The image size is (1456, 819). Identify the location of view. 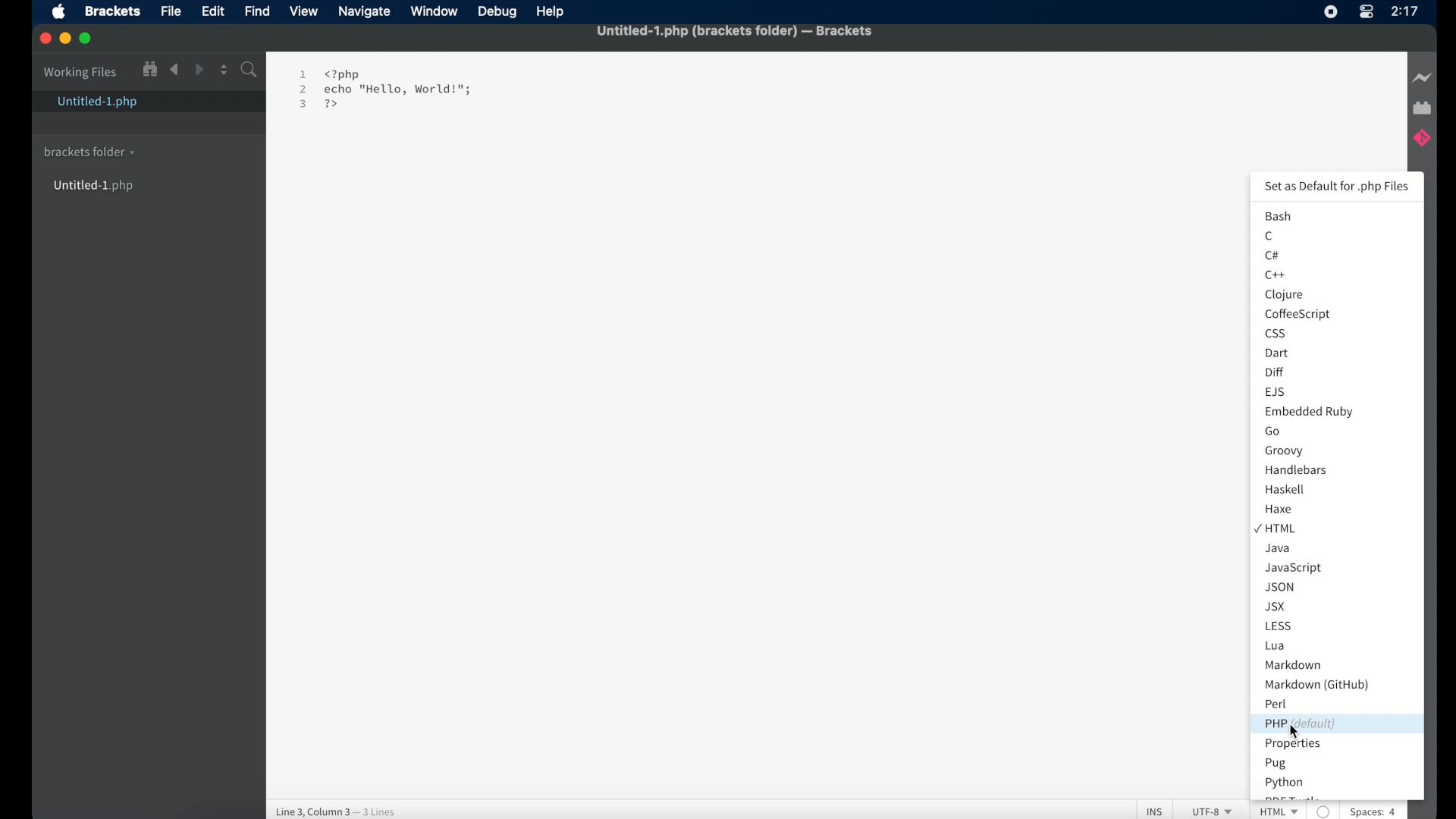
(304, 12).